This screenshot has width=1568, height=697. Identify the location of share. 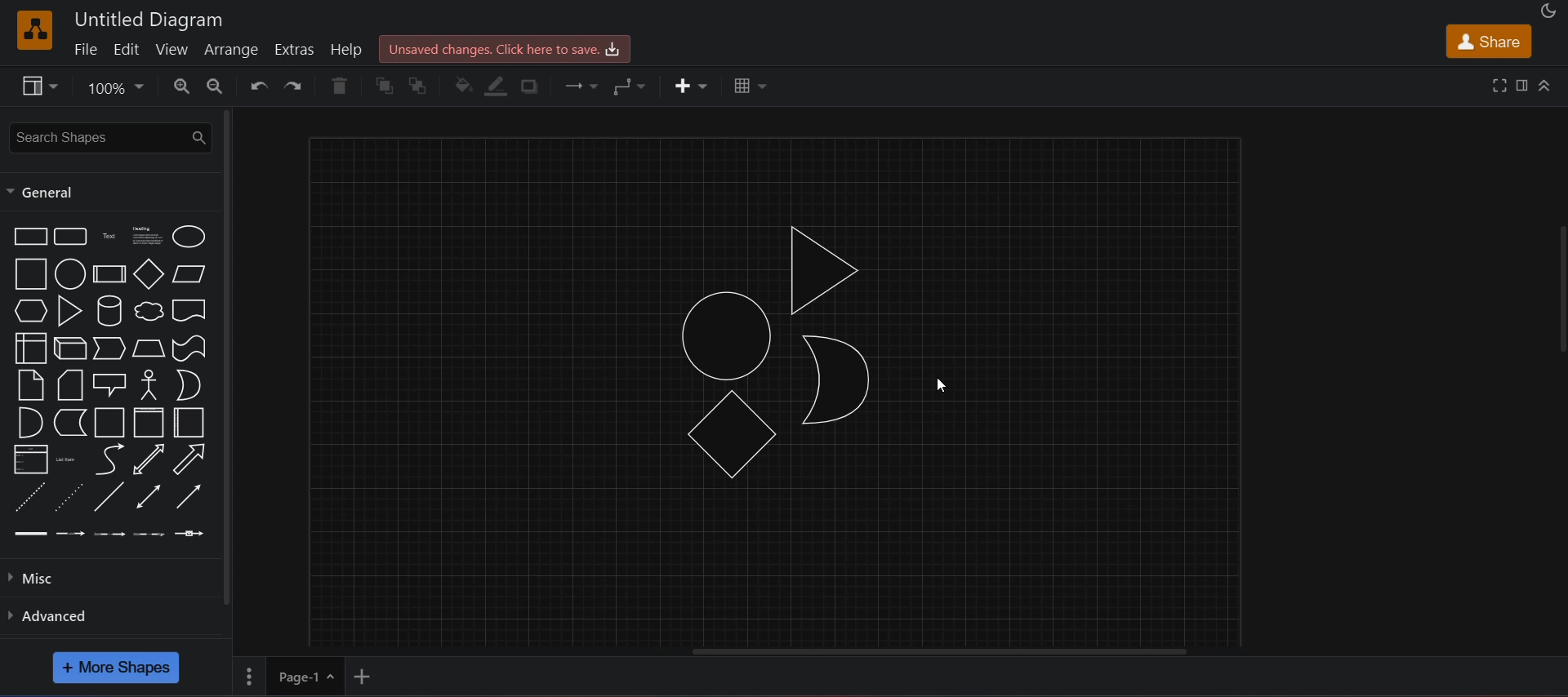
(1488, 41).